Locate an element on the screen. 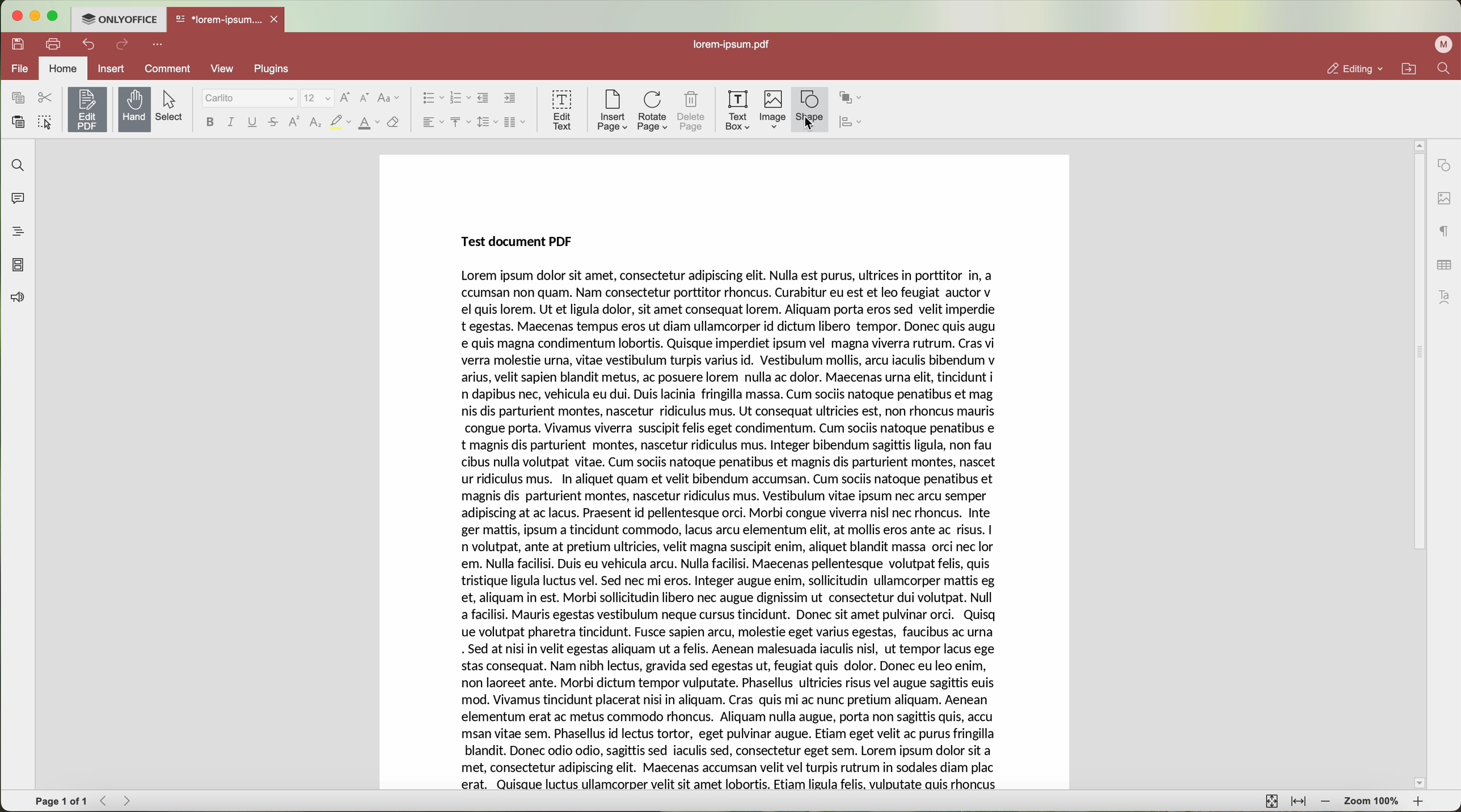 The height and width of the screenshot is (812, 1461). cut is located at coordinates (45, 98).